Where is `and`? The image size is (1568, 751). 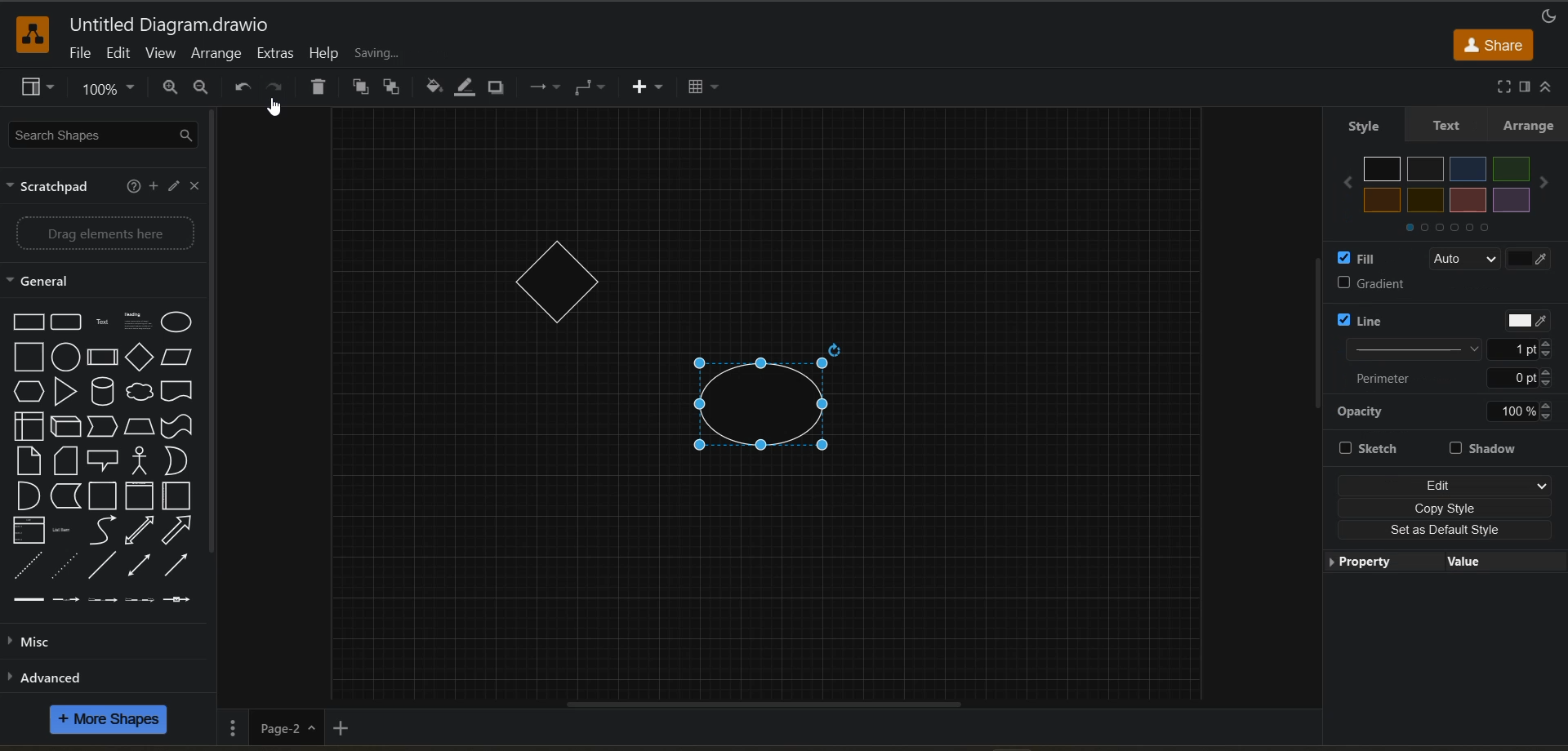 and is located at coordinates (27, 498).